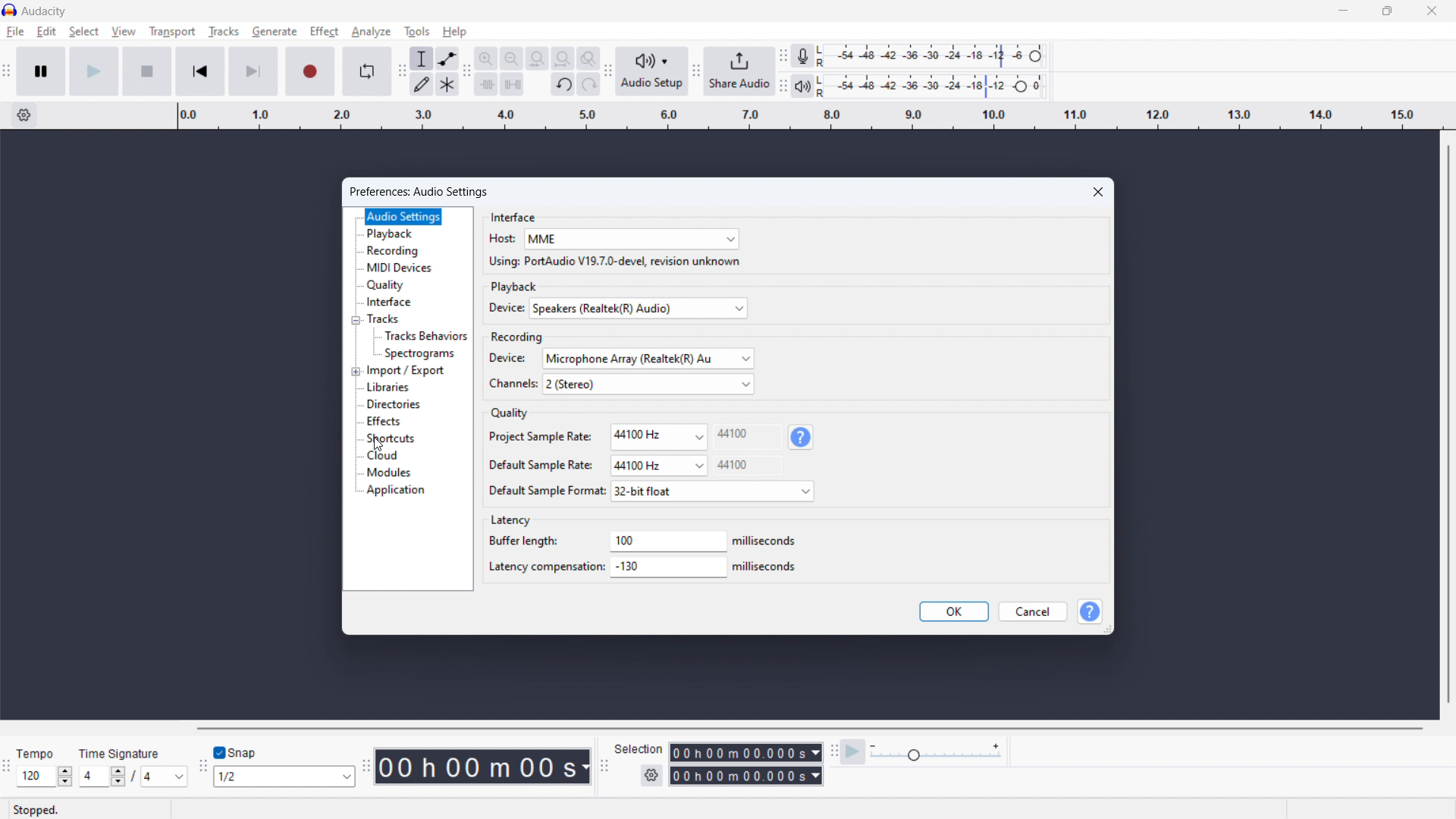  I want to click on Audacity - software title, so click(44, 11).